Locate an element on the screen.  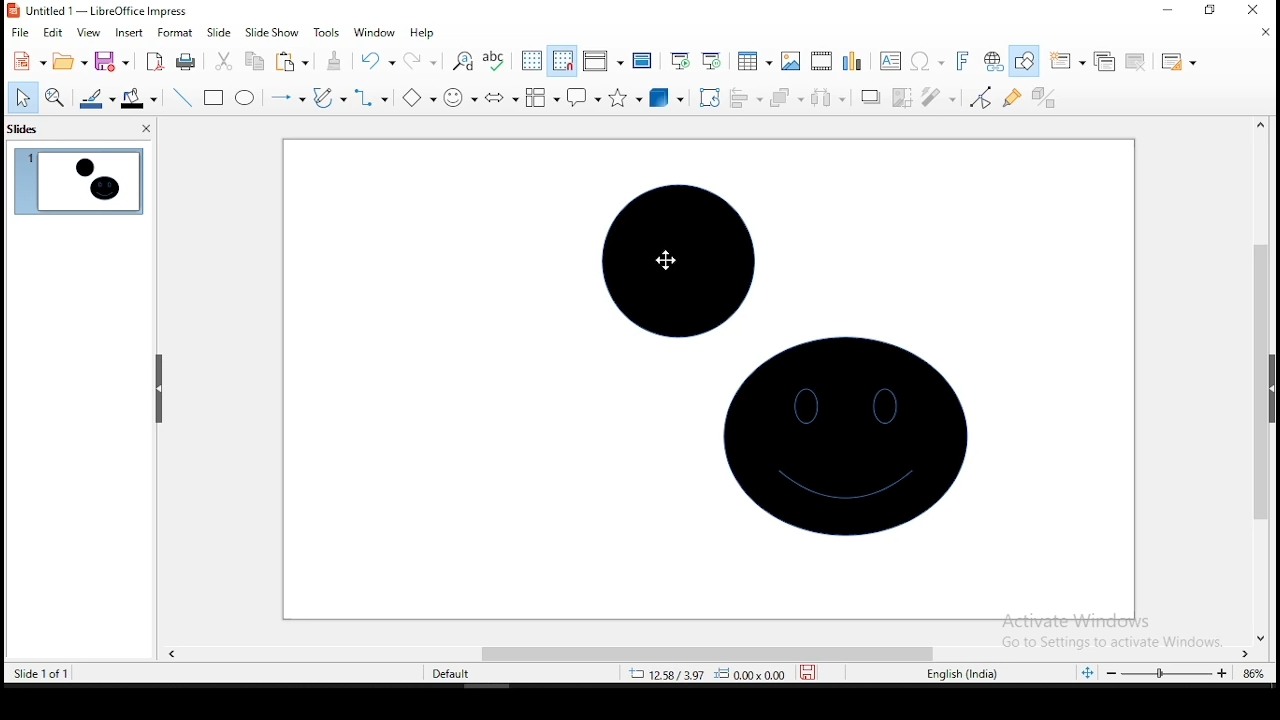
delete slide is located at coordinates (1133, 60).